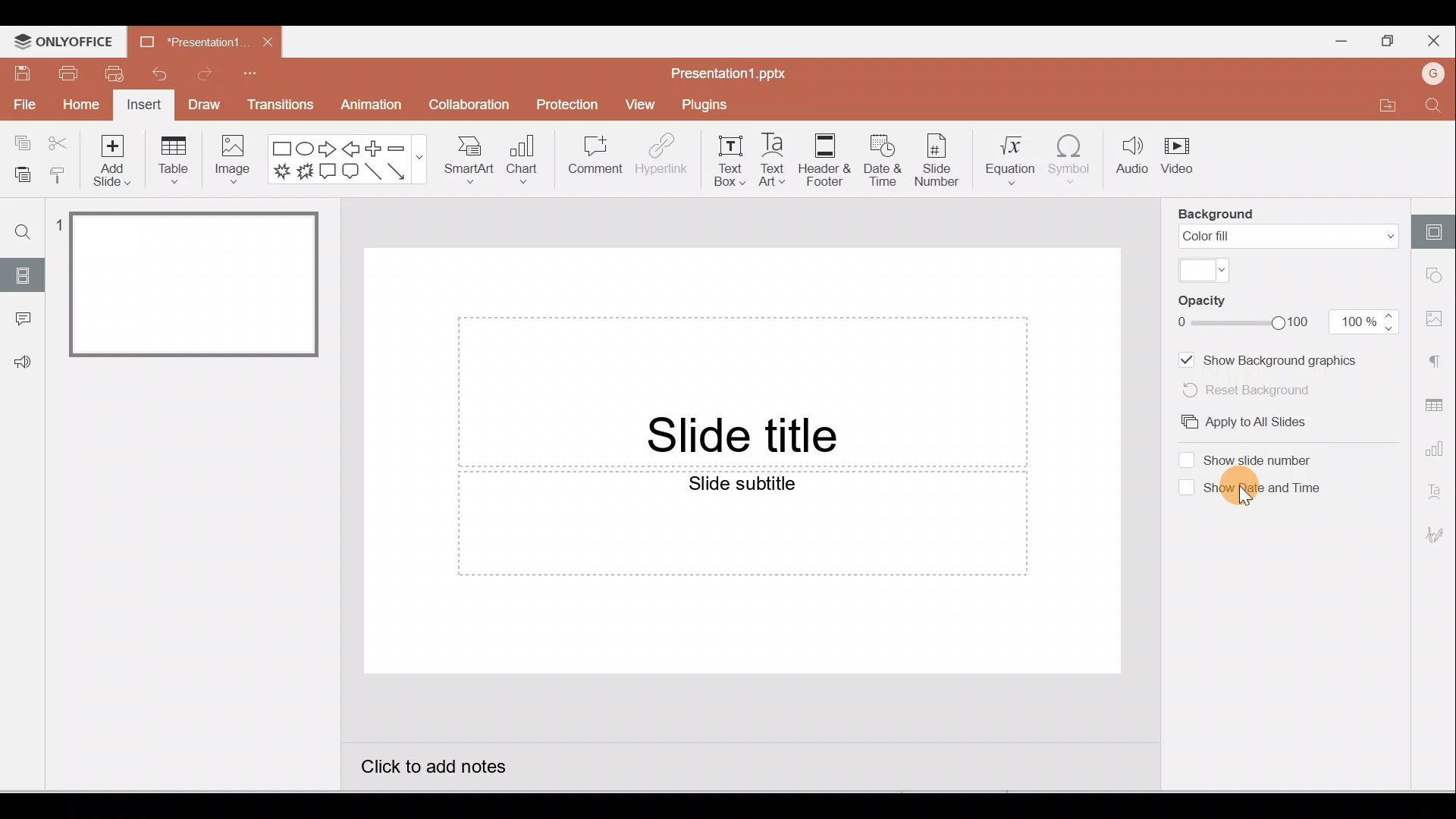 The image size is (1456, 819). Describe the element at coordinates (19, 72) in the screenshot. I see `Save` at that location.